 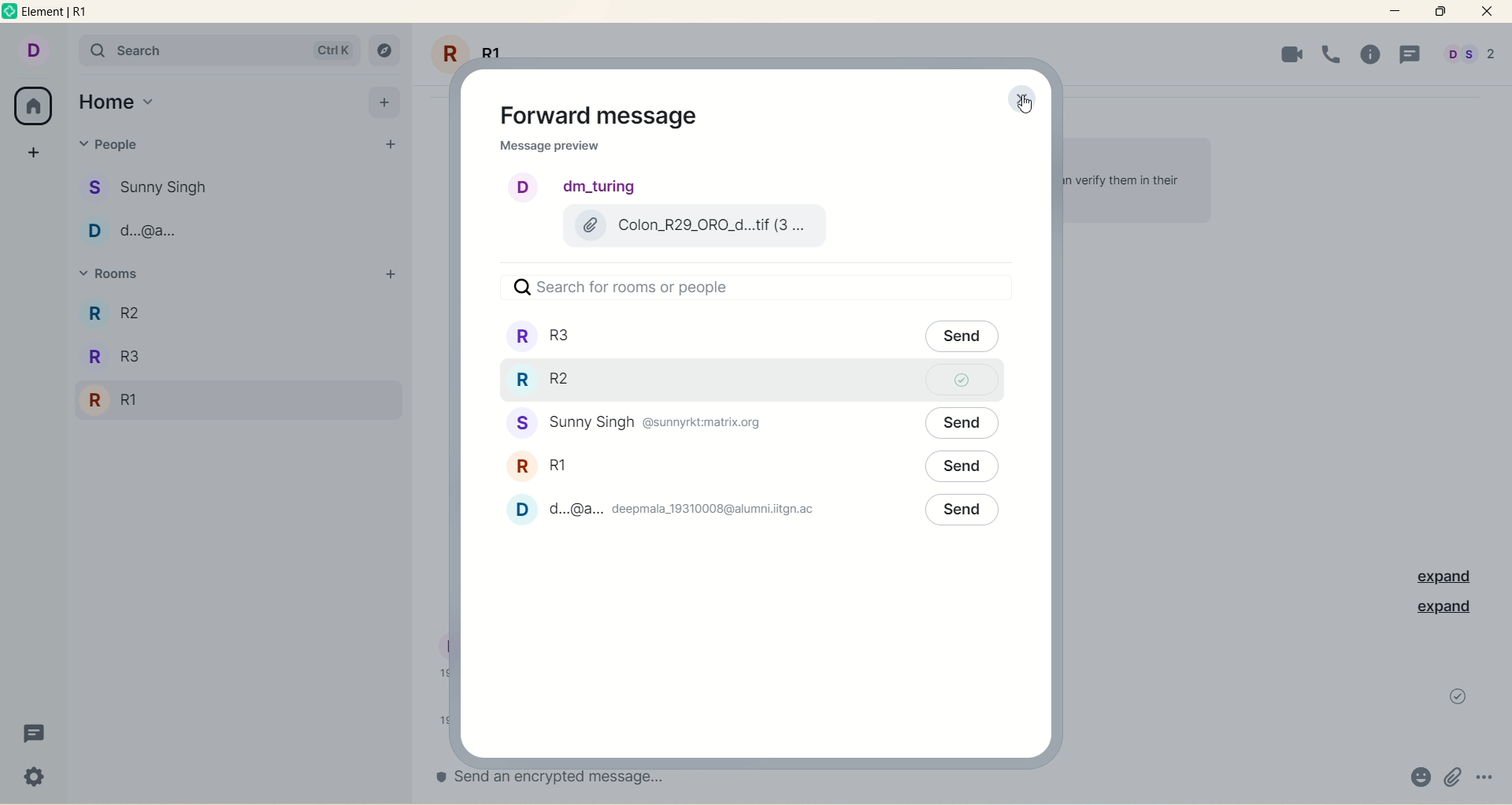 I want to click on R2, so click(x=125, y=360).